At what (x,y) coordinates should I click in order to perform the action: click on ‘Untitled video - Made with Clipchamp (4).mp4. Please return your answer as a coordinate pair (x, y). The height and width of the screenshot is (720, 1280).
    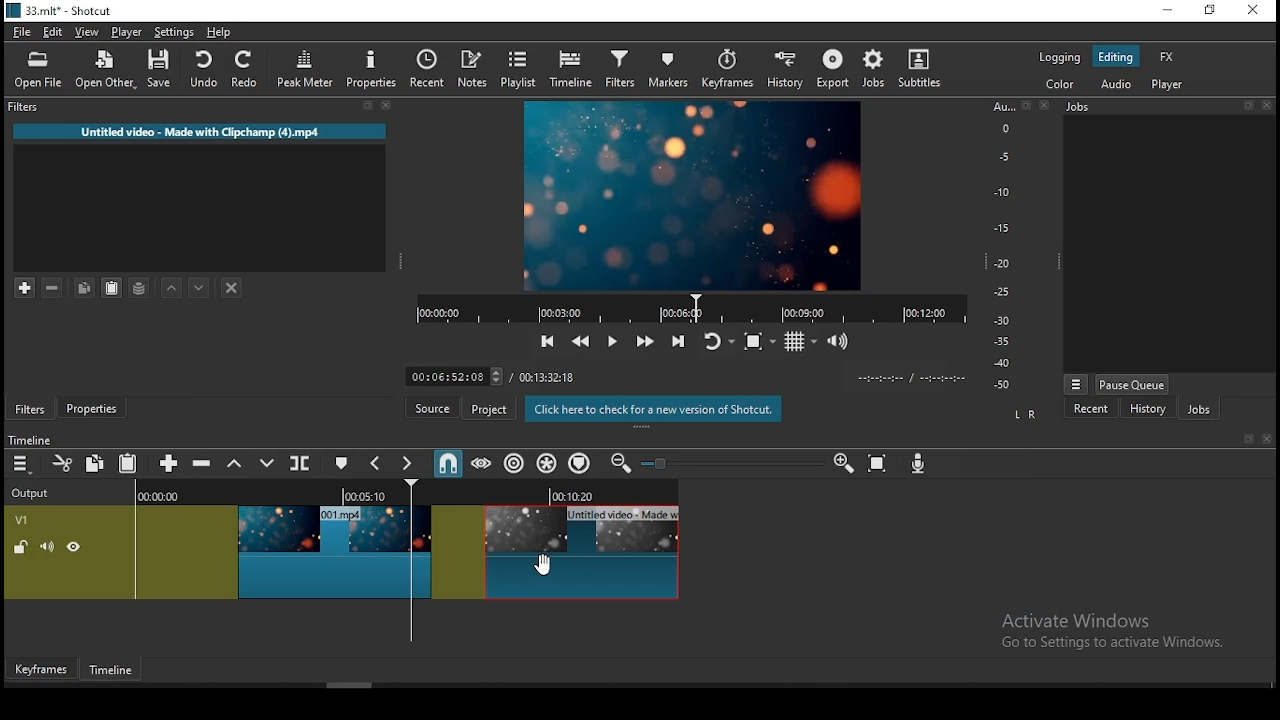
    Looking at the image, I should click on (199, 132).